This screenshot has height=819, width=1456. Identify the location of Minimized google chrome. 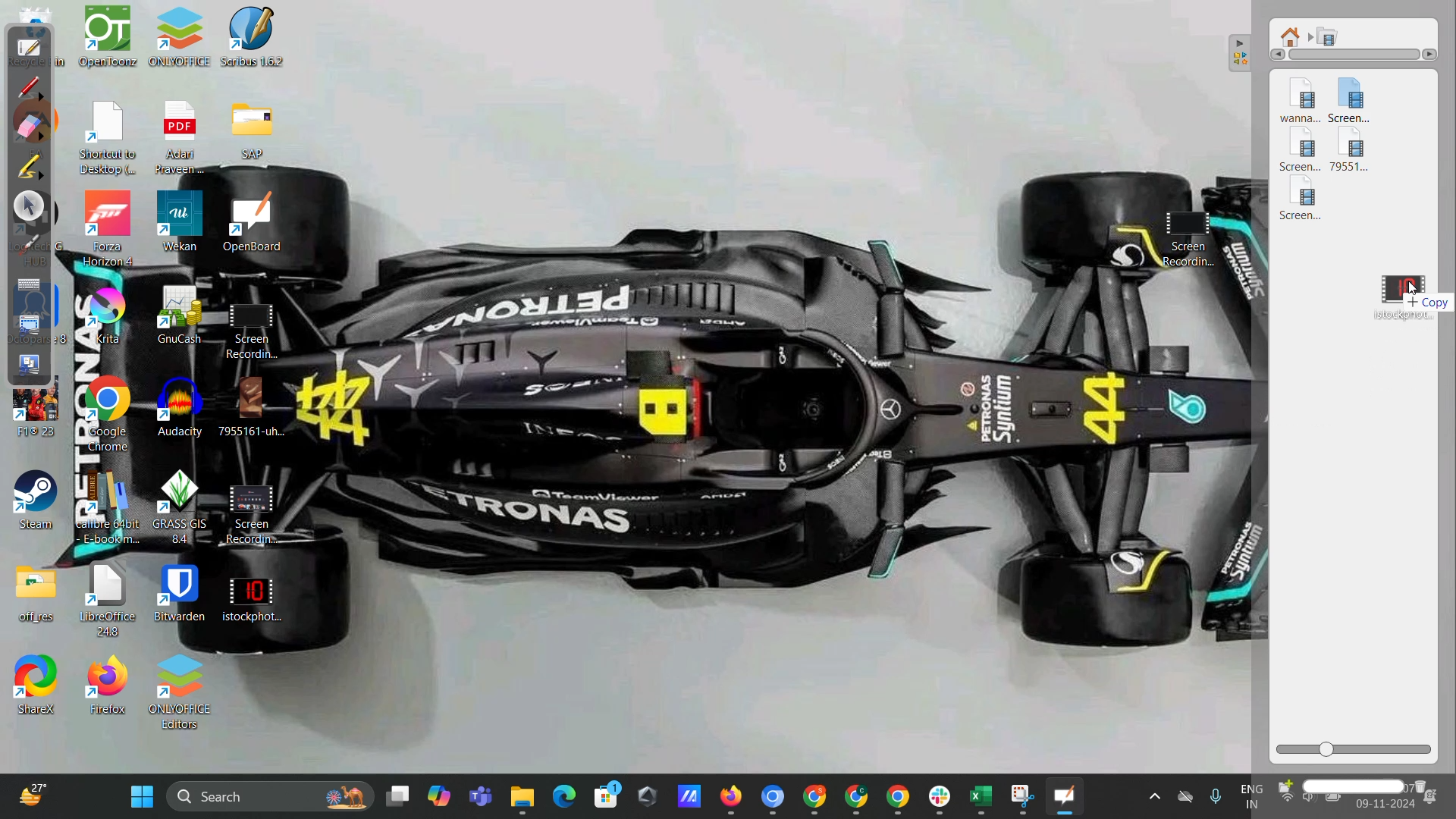
(777, 795).